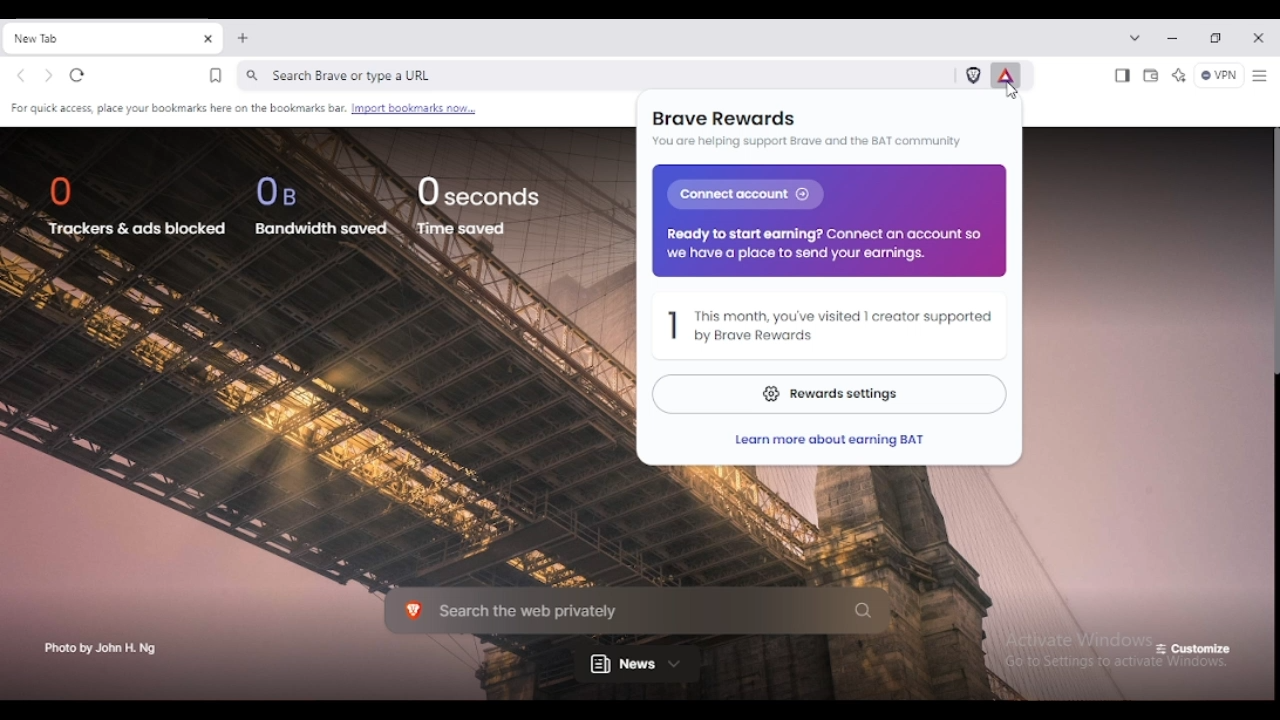 Image resolution: width=1280 pixels, height=720 pixels. Describe the element at coordinates (748, 192) in the screenshot. I see `Connect account` at that location.